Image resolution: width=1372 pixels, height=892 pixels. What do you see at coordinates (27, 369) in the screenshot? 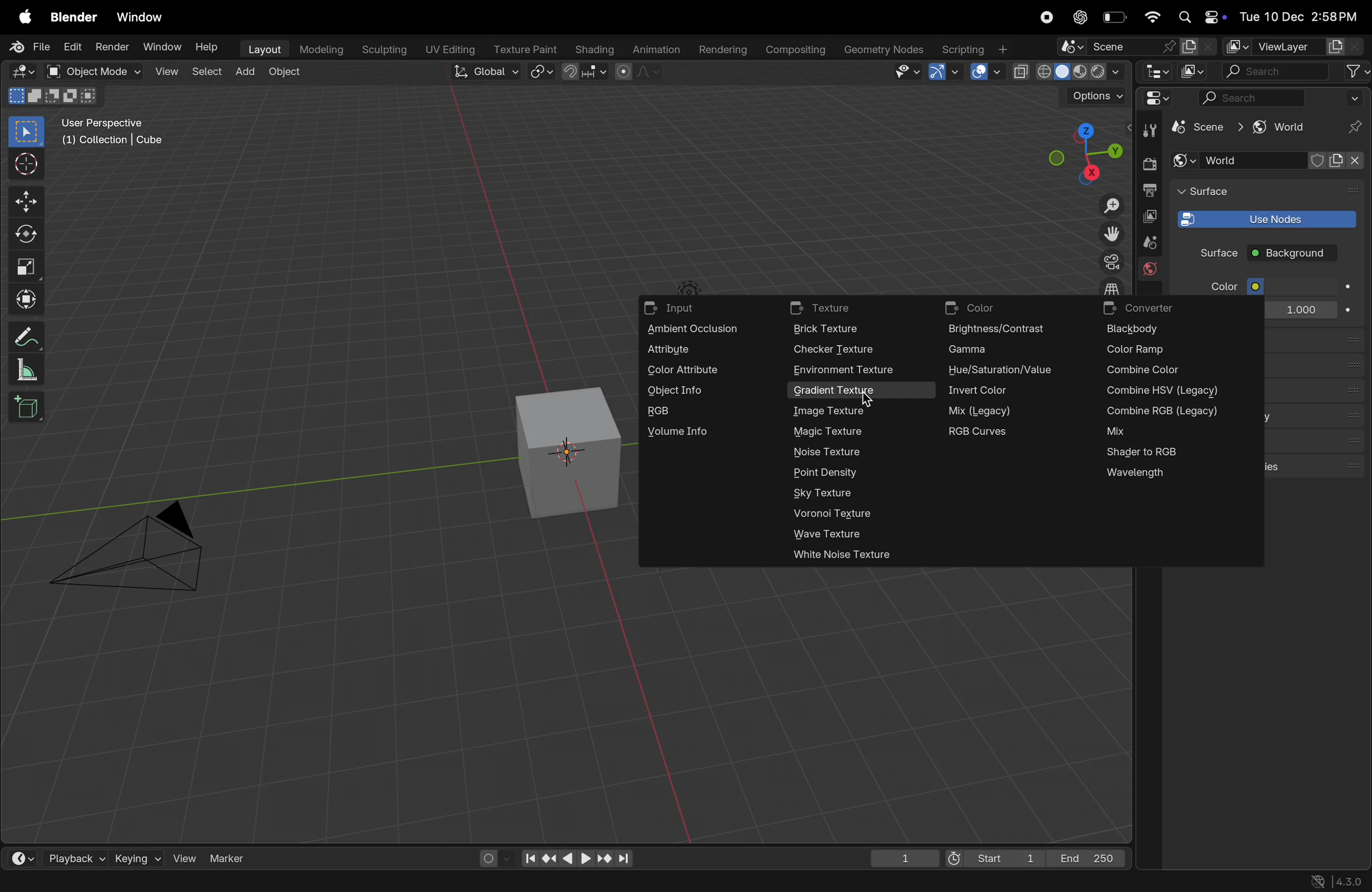
I see `measure` at bounding box center [27, 369].